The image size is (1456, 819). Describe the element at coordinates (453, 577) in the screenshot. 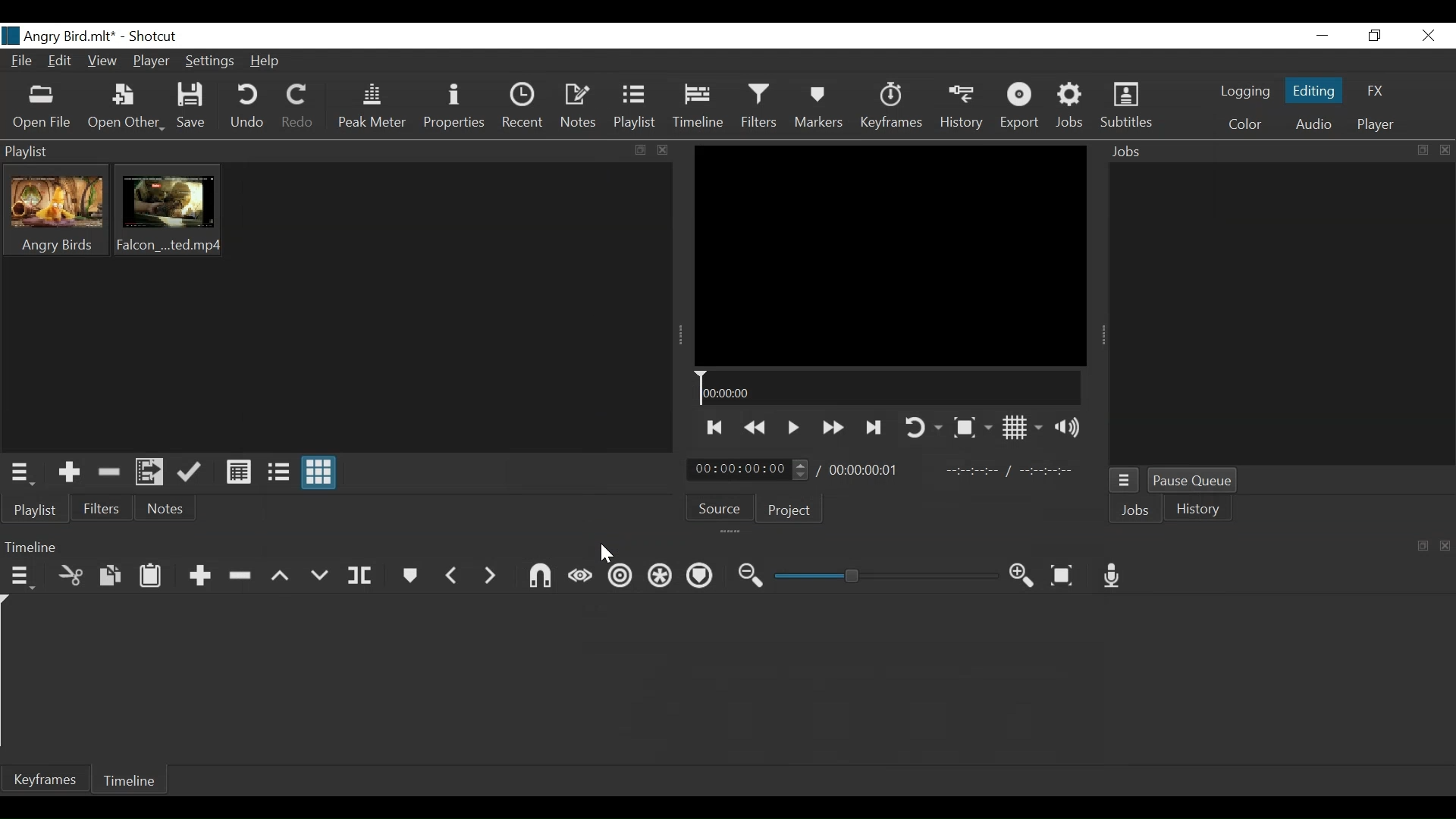

I see `Previous marker` at that location.